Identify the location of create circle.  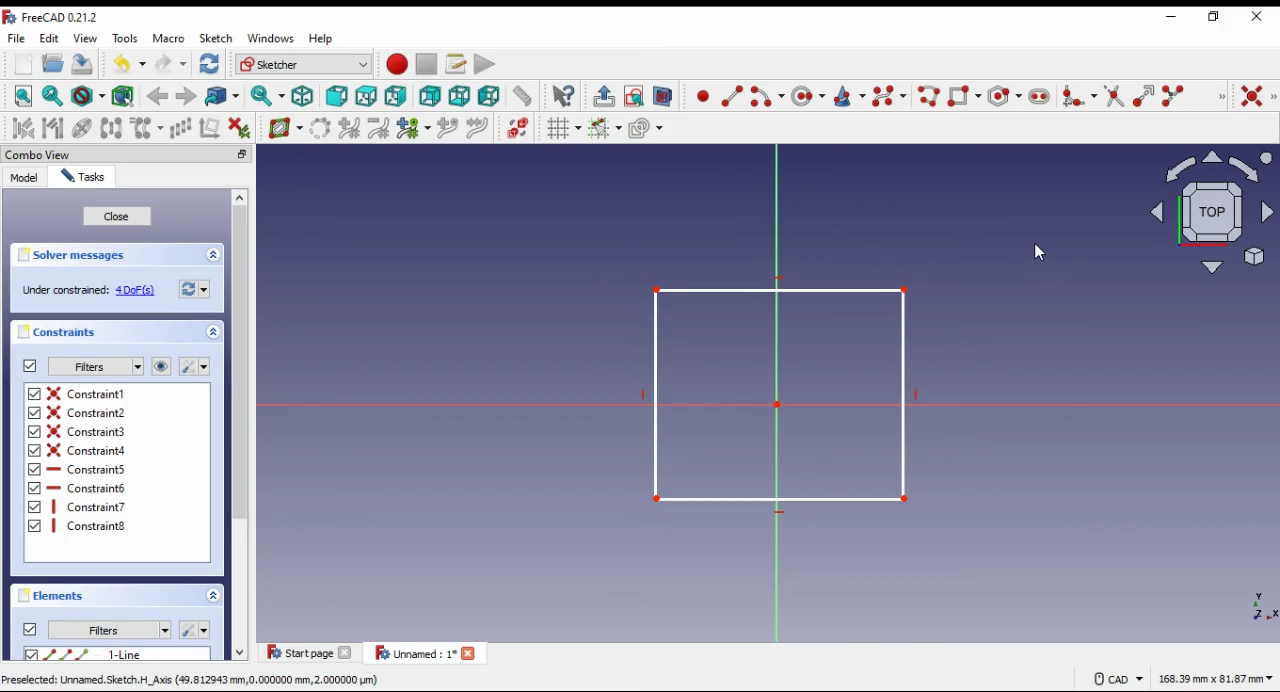
(808, 95).